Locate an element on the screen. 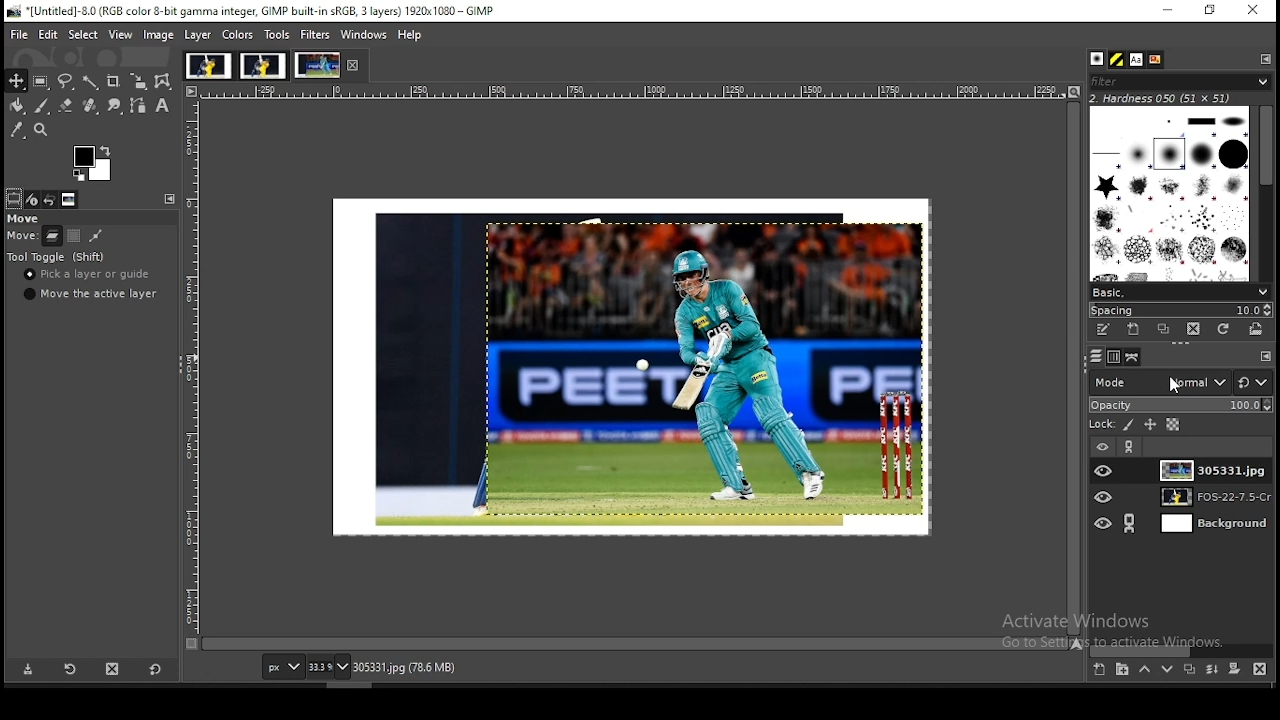  edit is located at coordinates (50, 34).